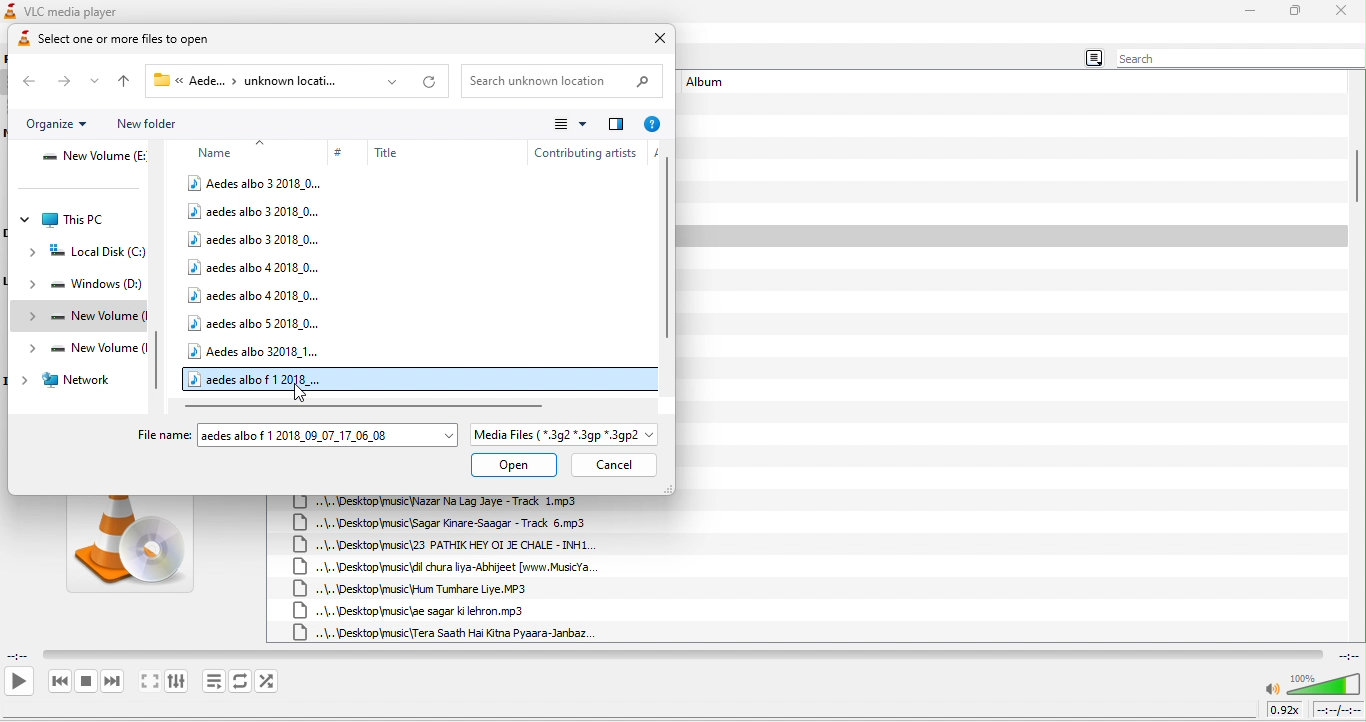  Describe the element at coordinates (1236, 59) in the screenshot. I see `search` at that location.